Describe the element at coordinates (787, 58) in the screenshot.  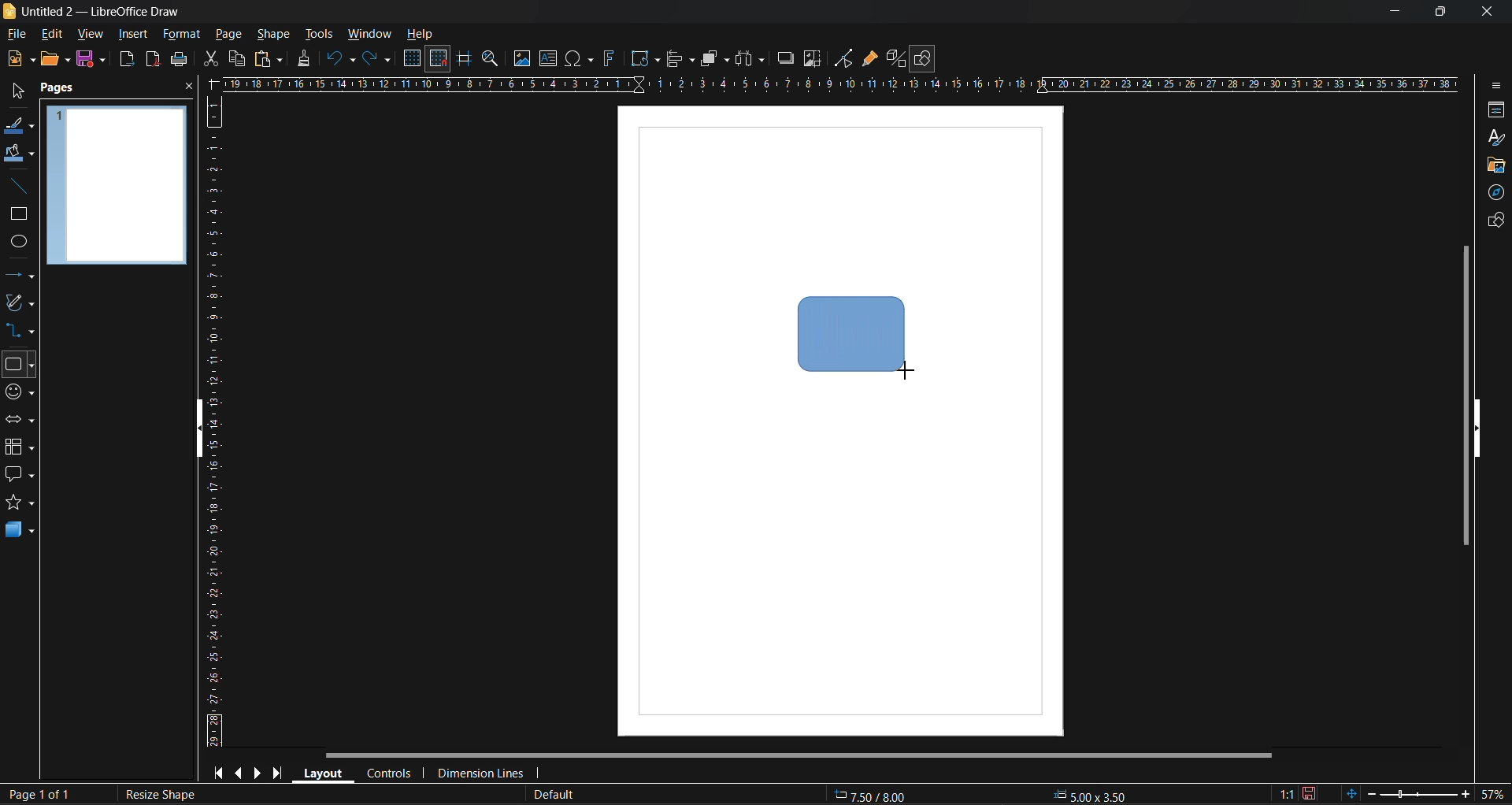
I see `shadow` at that location.